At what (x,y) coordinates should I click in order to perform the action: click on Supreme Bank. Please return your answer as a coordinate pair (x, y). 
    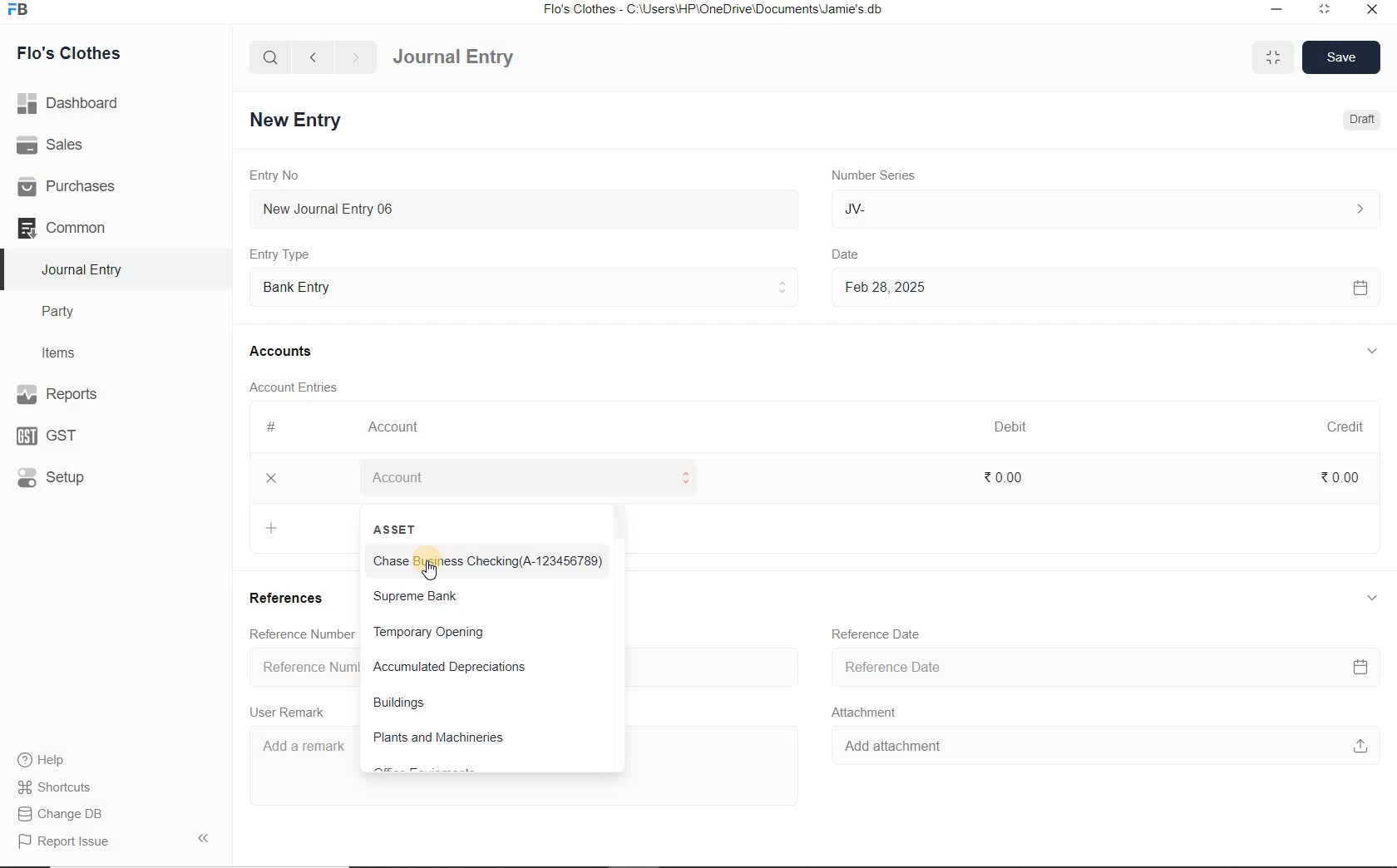
    Looking at the image, I should click on (417, 595).